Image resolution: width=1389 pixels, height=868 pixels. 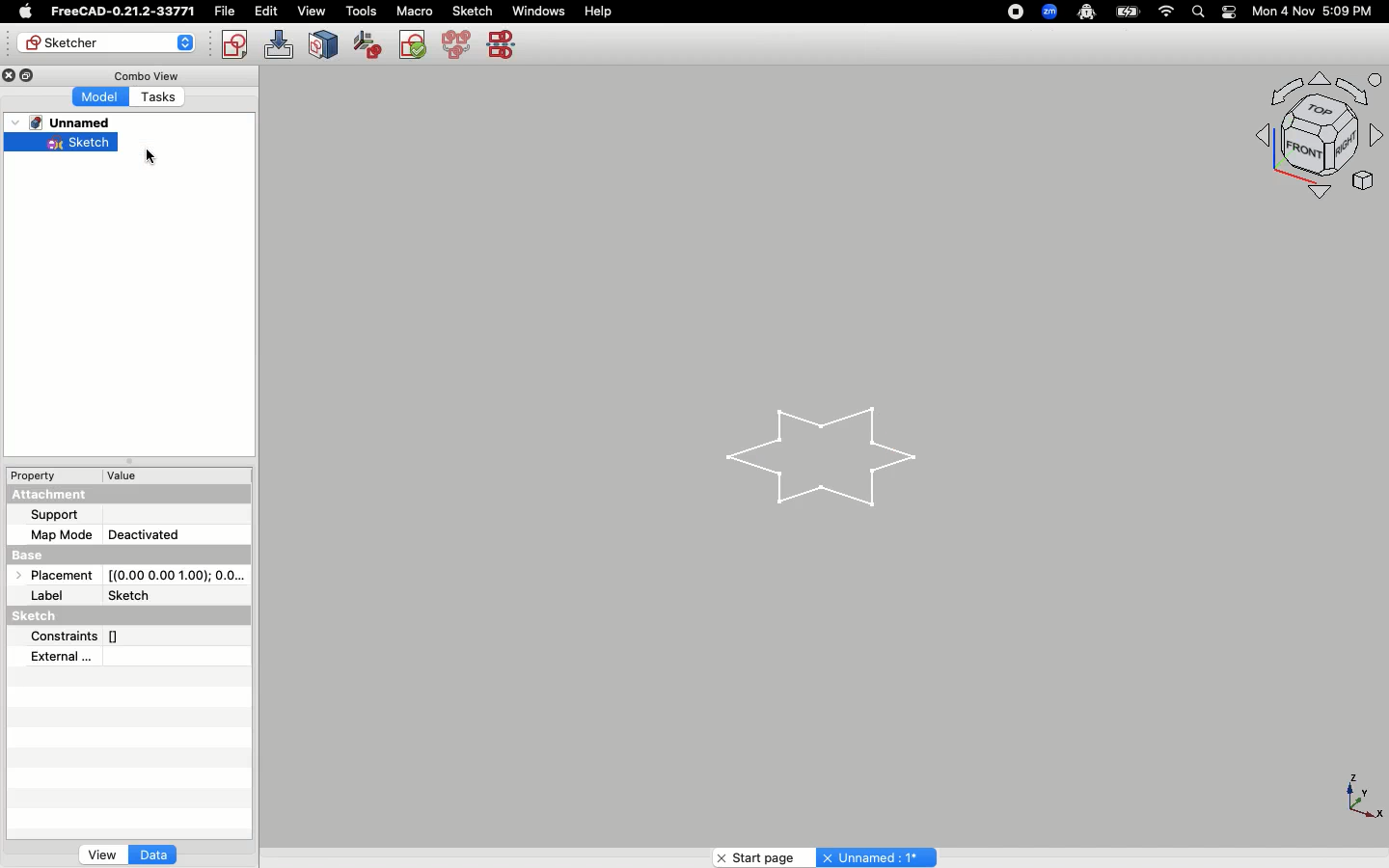 What do you see at coordinates (1298, 143) in the screenshot?
I see `Orthographic projection` at bounding box center [1298, 143].